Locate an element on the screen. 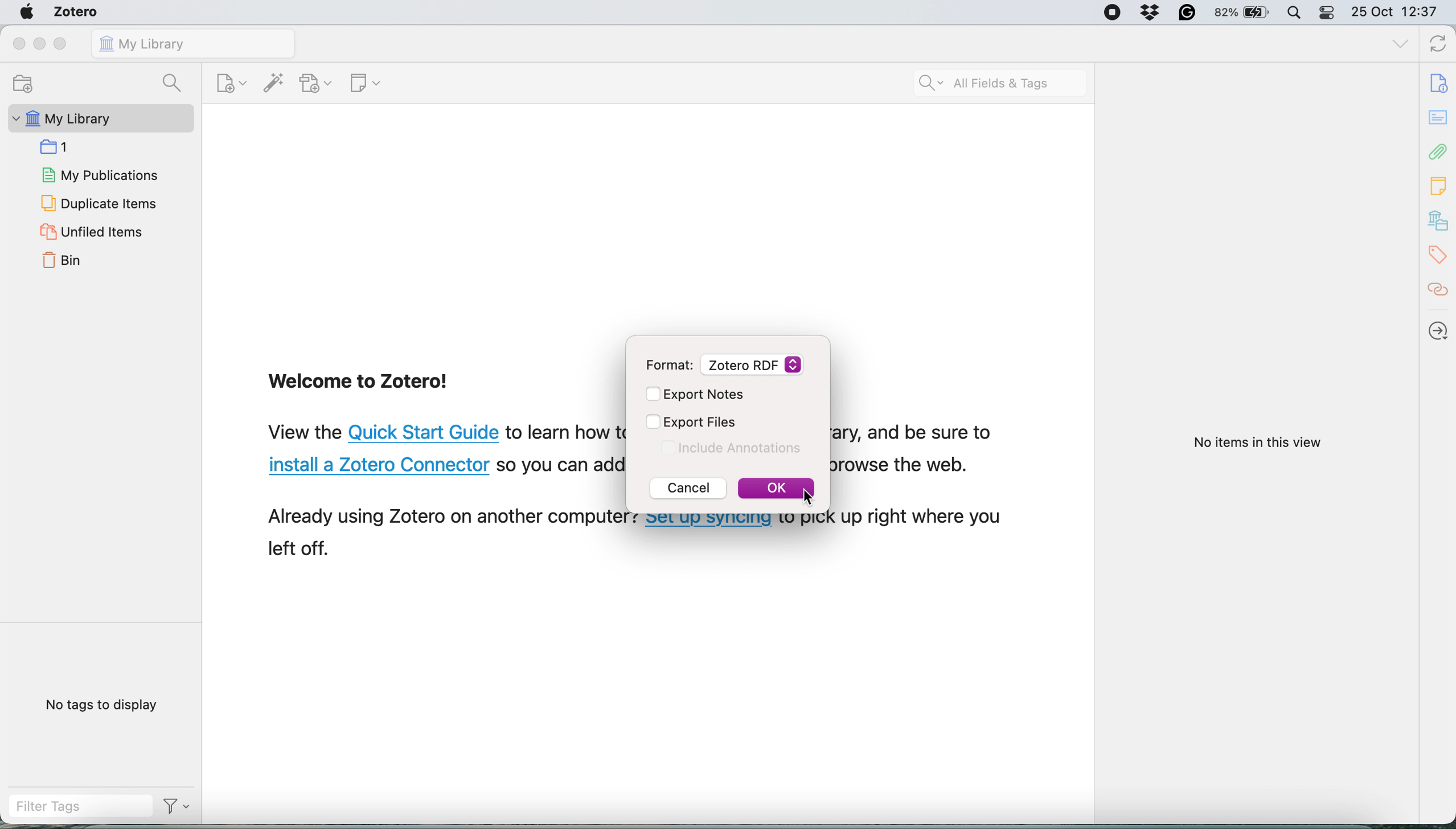  bin is located at coordinates (63, 263).